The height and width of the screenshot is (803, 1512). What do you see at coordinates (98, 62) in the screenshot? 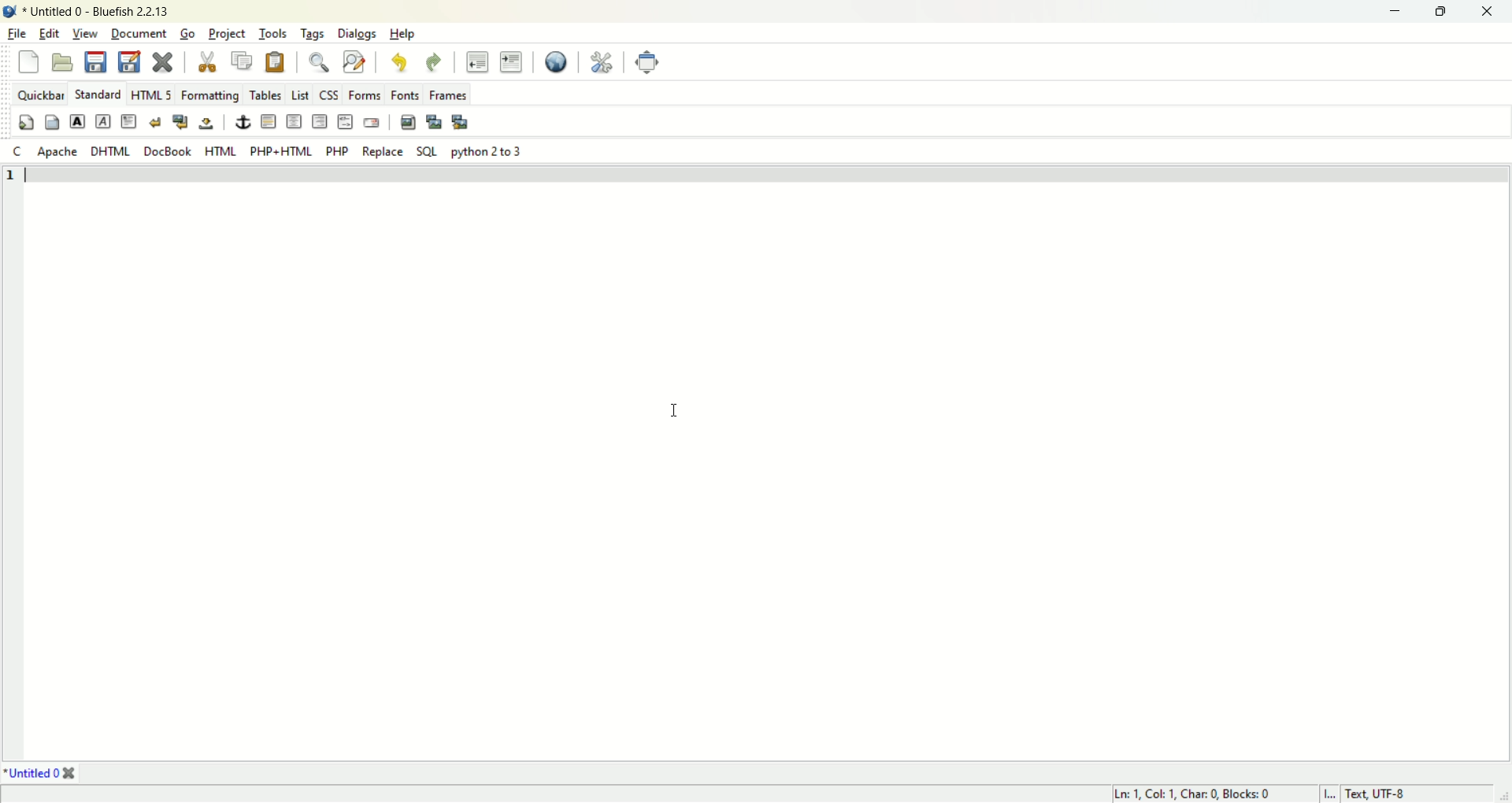
I see `save` at bounding box center [98, 62].